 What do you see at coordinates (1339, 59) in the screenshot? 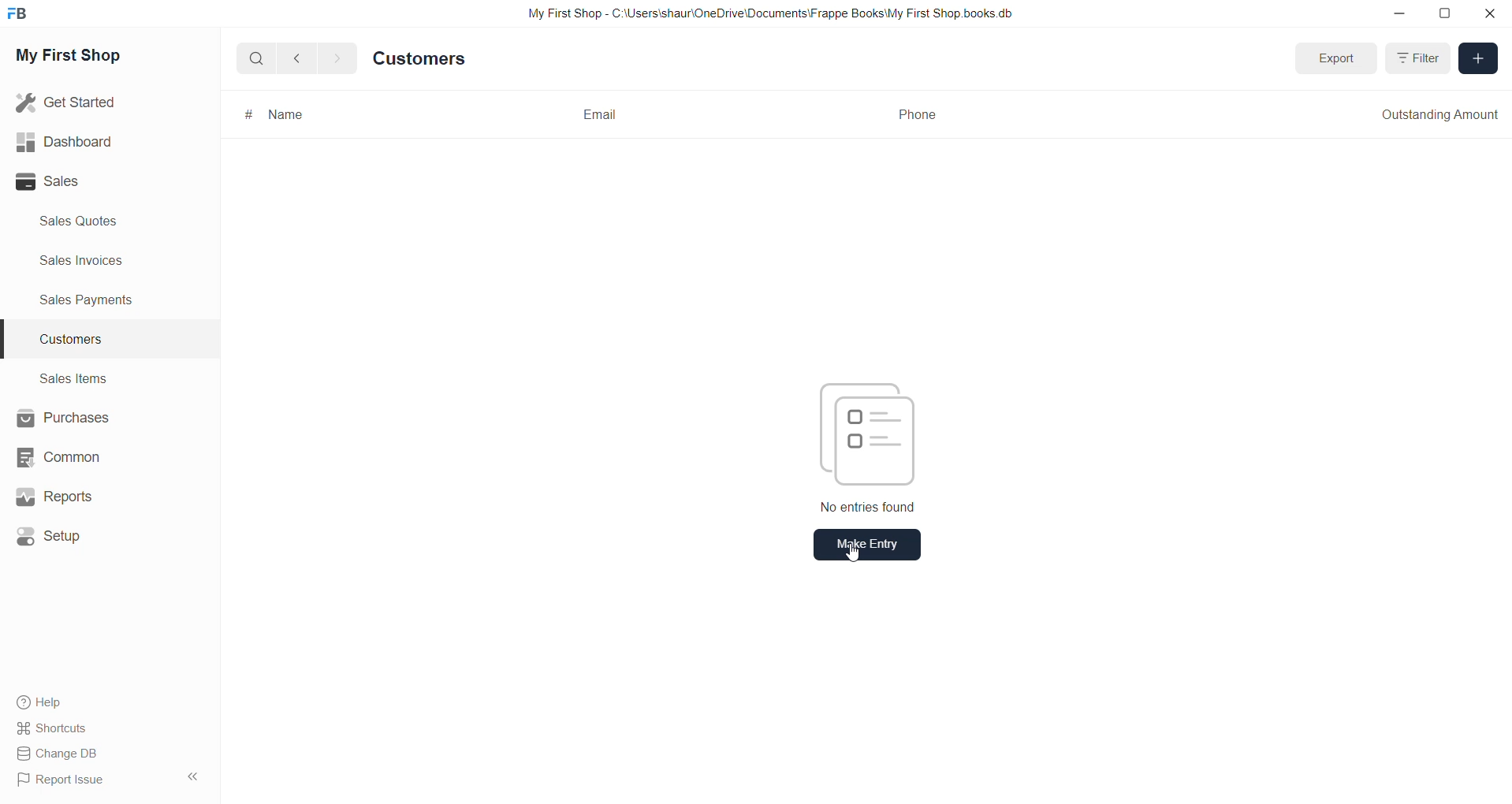
I see `Export` at bounding box center [1339, 59].